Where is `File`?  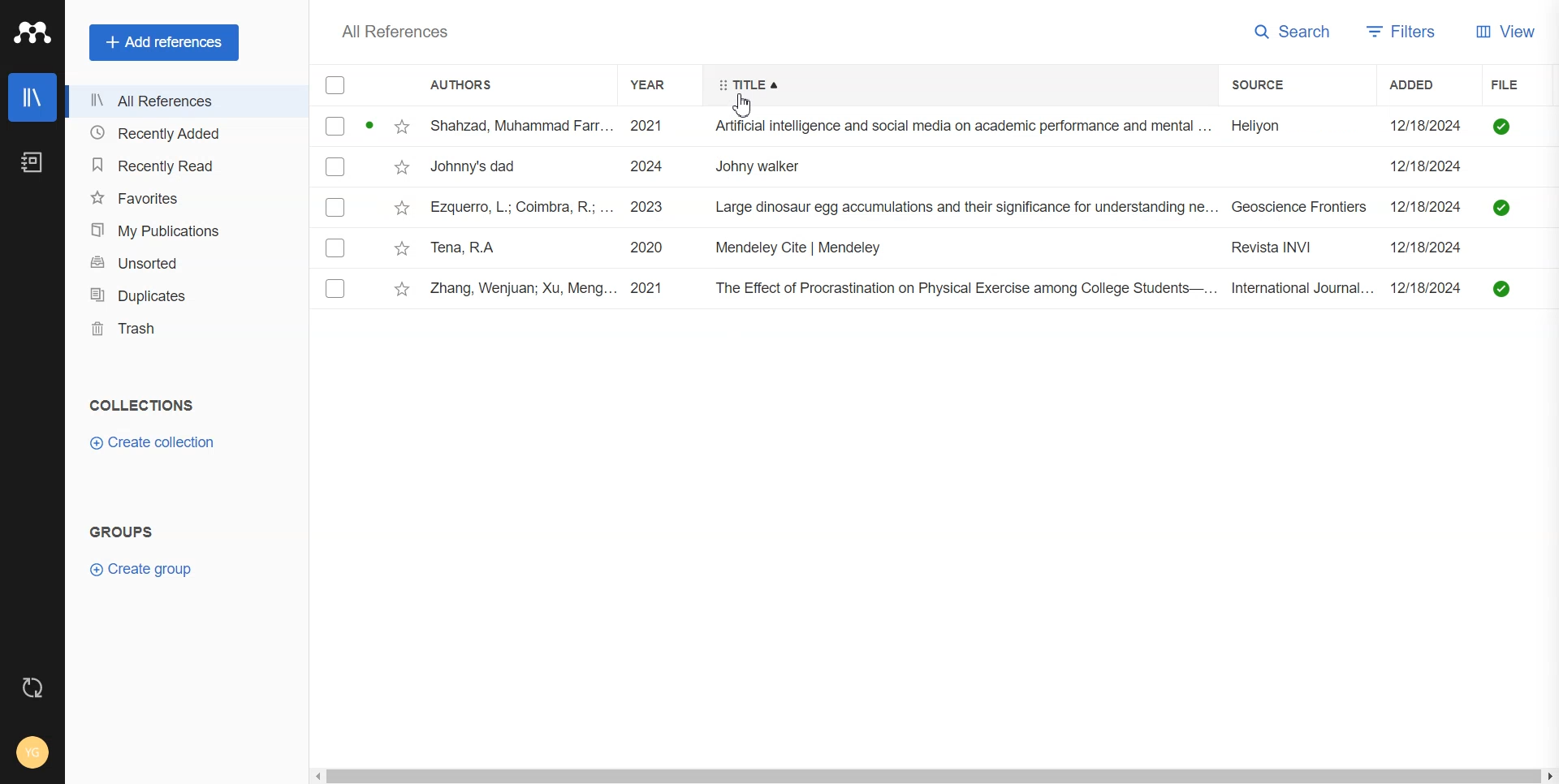
File is located at coordinates (1514, 84).